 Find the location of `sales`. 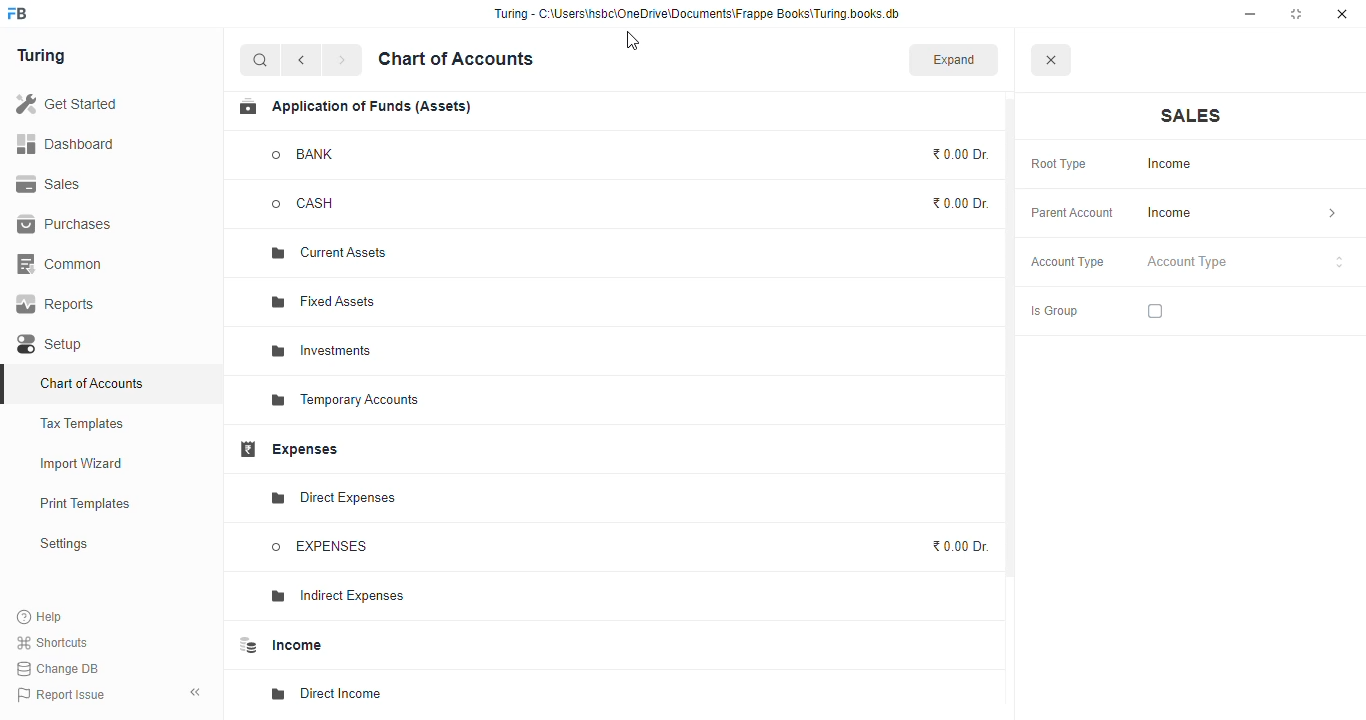

sales is located at coordinates (1191, 116).